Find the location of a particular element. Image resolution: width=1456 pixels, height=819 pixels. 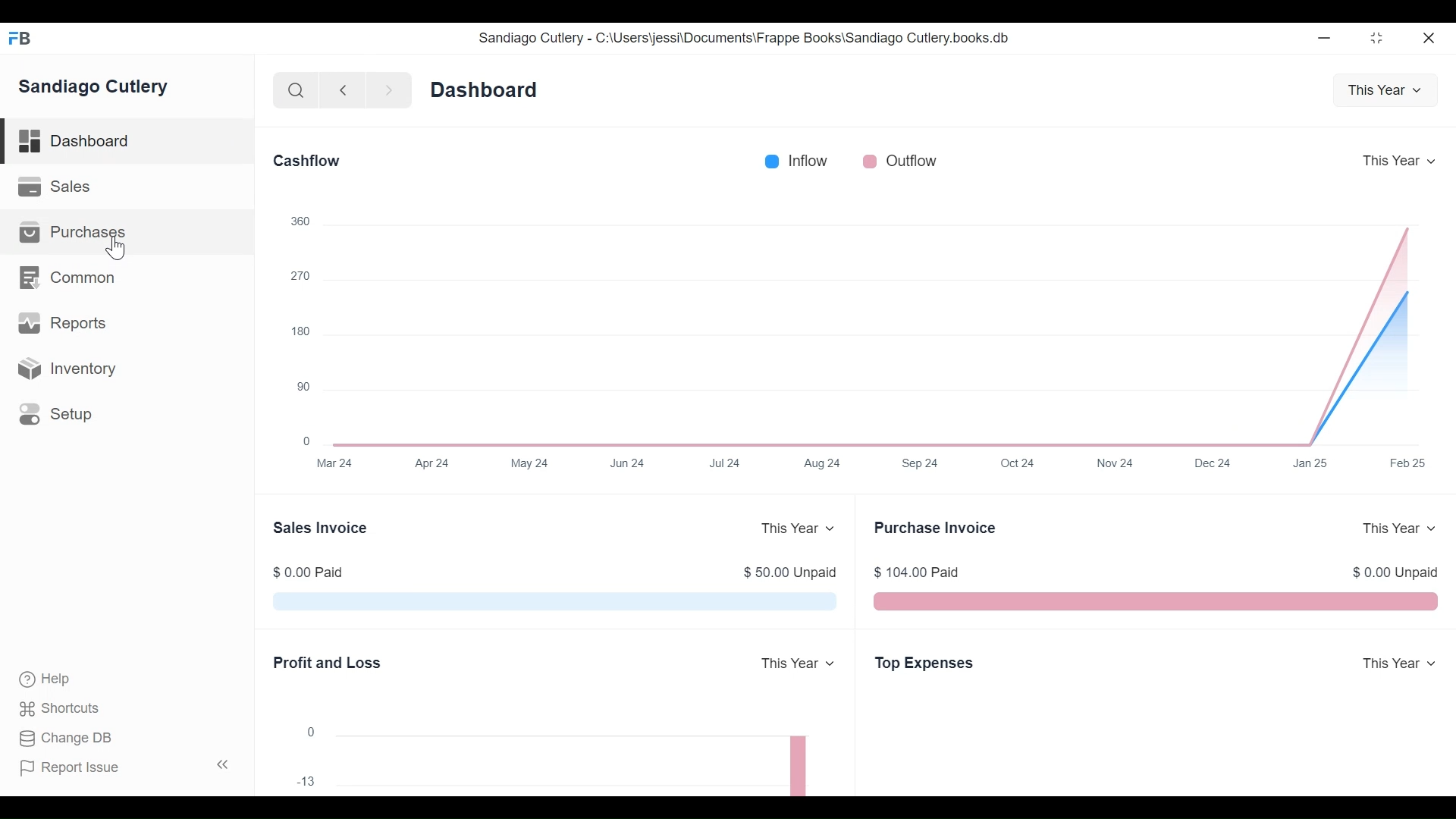

Outflow color bar is located at coordinates (870, 160).